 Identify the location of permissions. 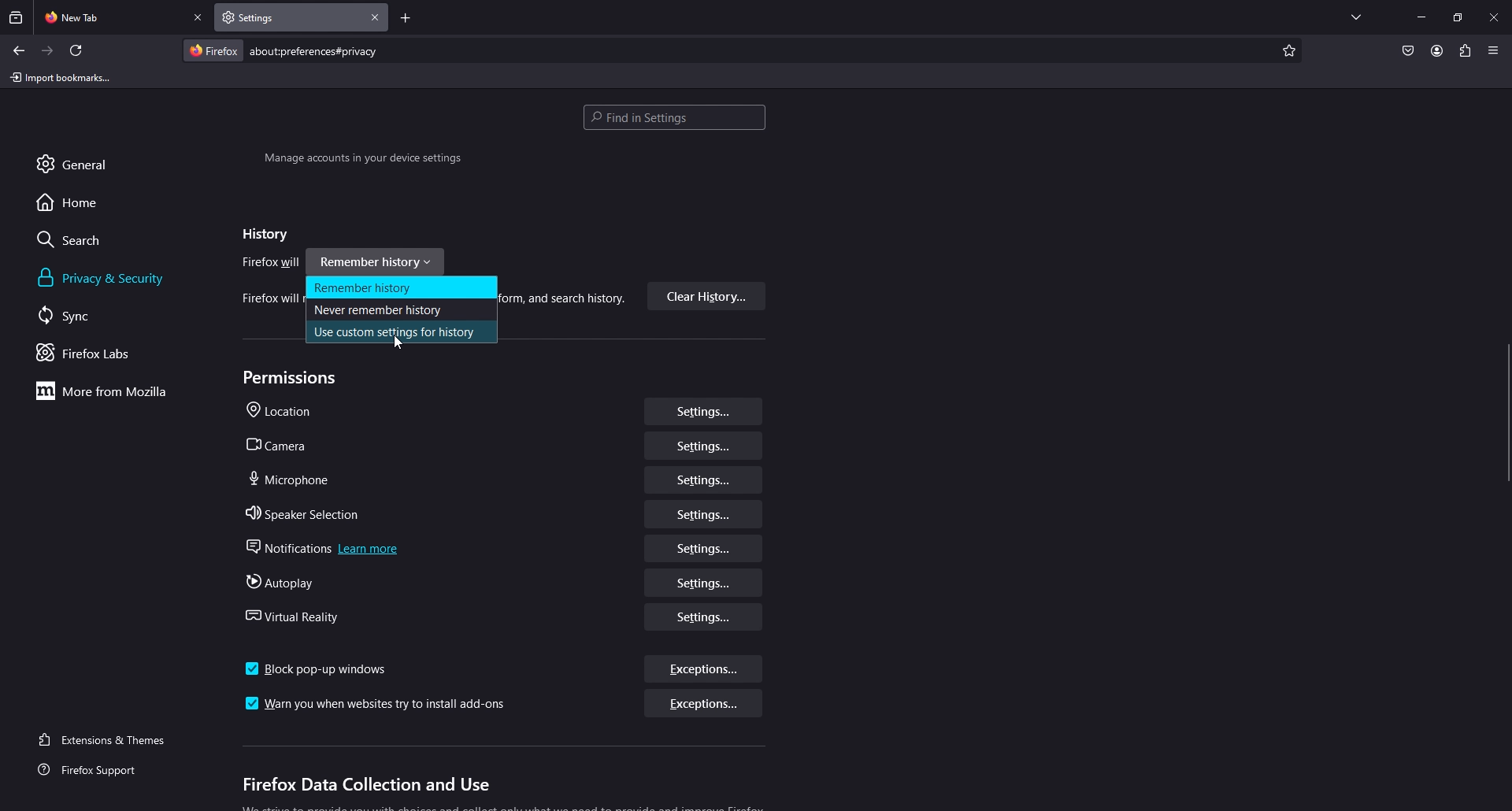
(294, 378).